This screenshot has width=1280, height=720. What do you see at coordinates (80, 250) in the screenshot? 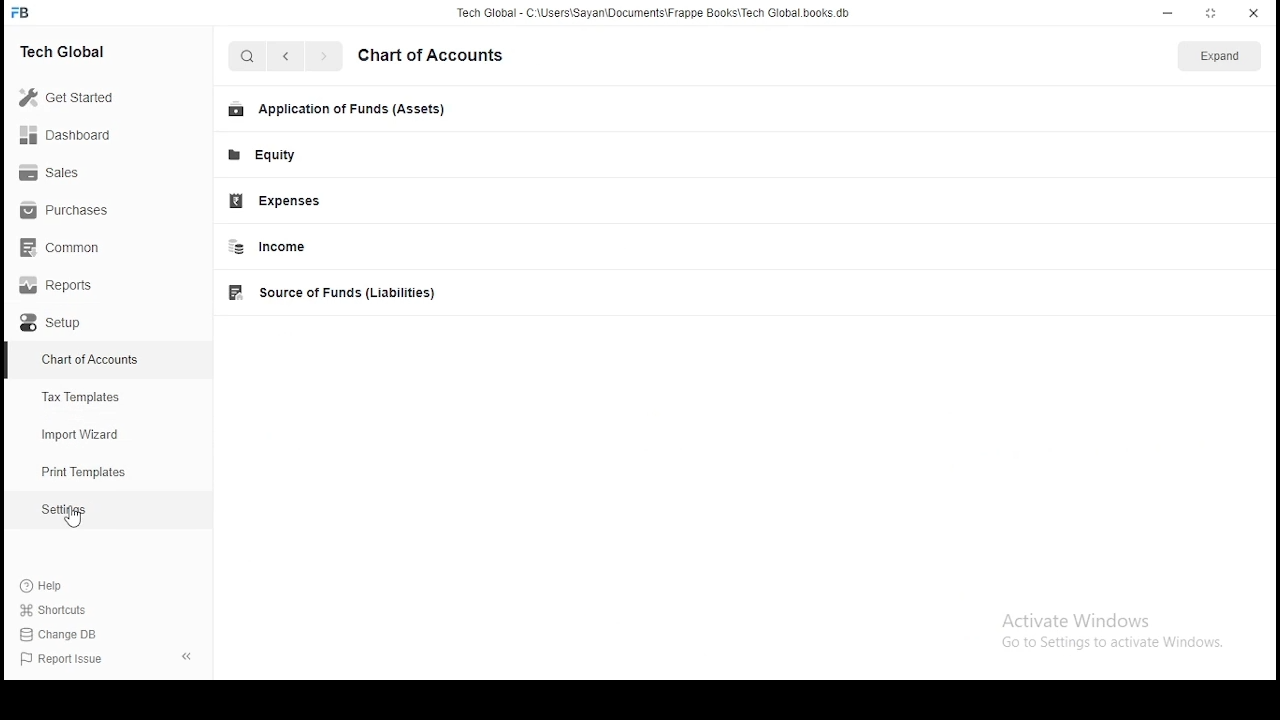
I see `common ` at bounding box center [80, 250].